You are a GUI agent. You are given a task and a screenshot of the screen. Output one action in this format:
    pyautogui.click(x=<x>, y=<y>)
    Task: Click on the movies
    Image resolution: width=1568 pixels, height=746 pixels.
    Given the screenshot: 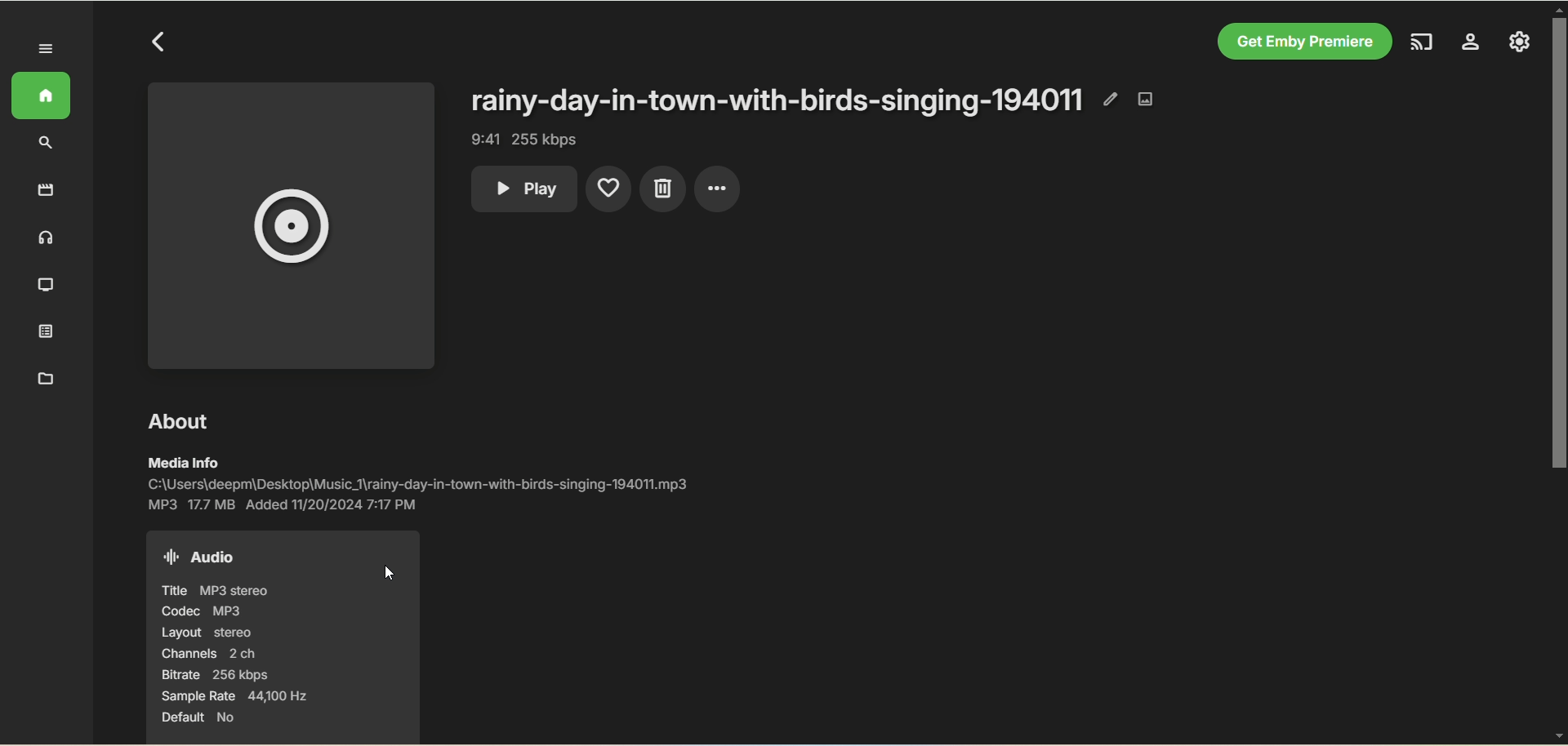 What is the action you would take?
    pyautogui.click(x=50, y=191)
    